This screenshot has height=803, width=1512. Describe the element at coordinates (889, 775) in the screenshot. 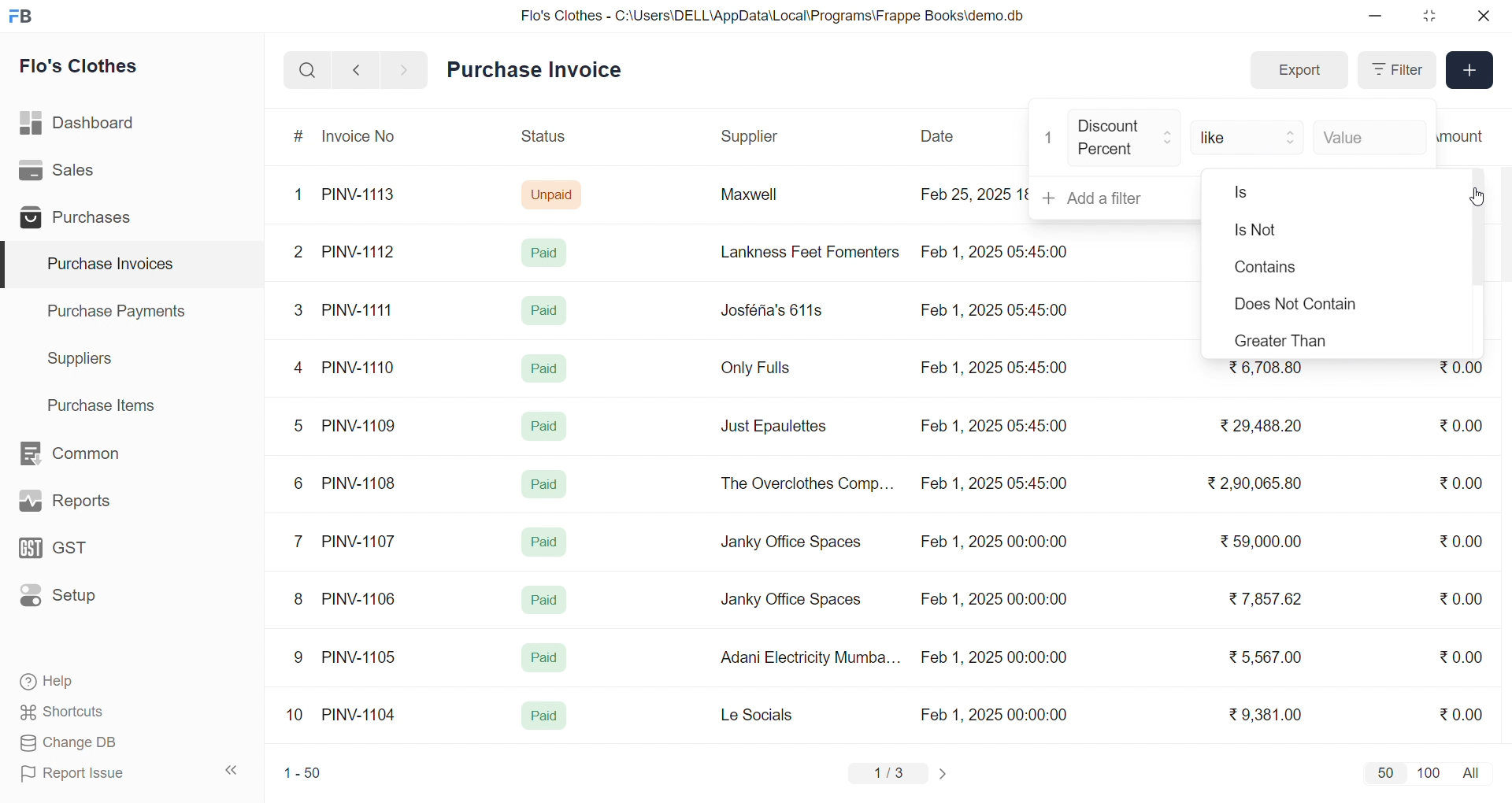

I see `1/3` at that location.